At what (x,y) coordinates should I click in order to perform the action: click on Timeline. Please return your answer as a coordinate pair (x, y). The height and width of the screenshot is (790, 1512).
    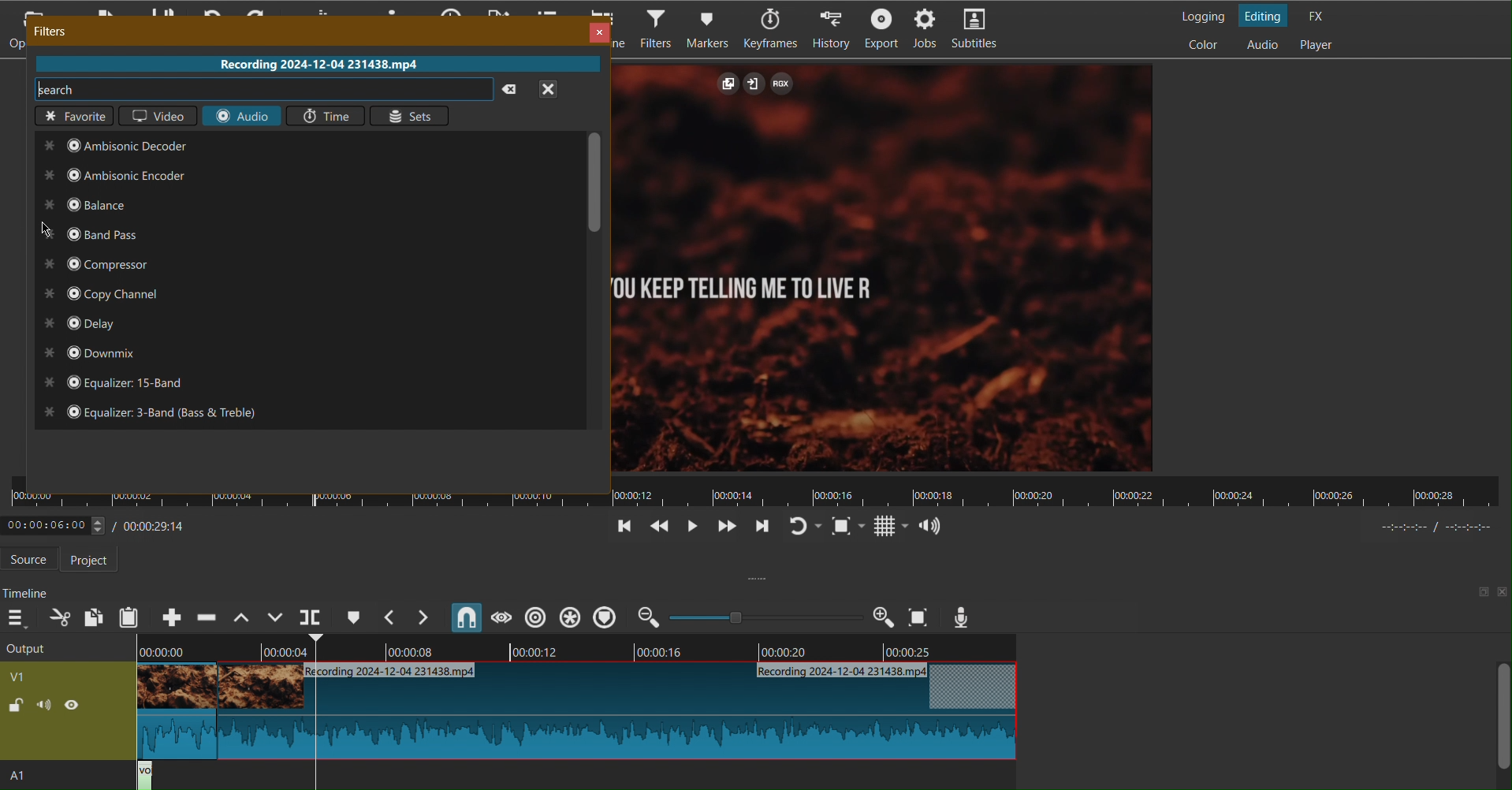
    Looking at the image, I should click on (27, 593).